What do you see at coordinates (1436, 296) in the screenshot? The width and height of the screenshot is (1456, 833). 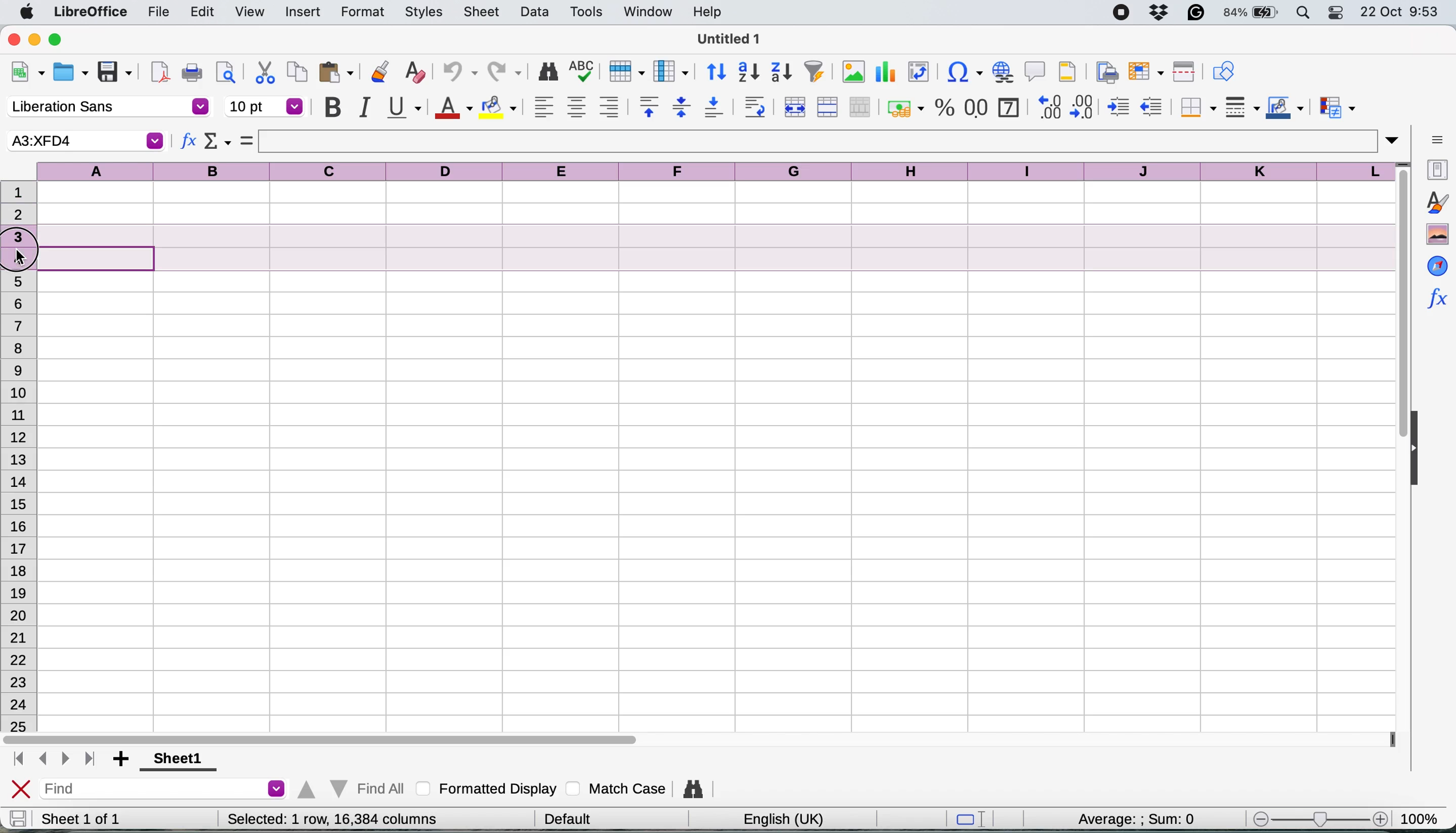 I see `function wizard` at bounding box center [1436, 296].